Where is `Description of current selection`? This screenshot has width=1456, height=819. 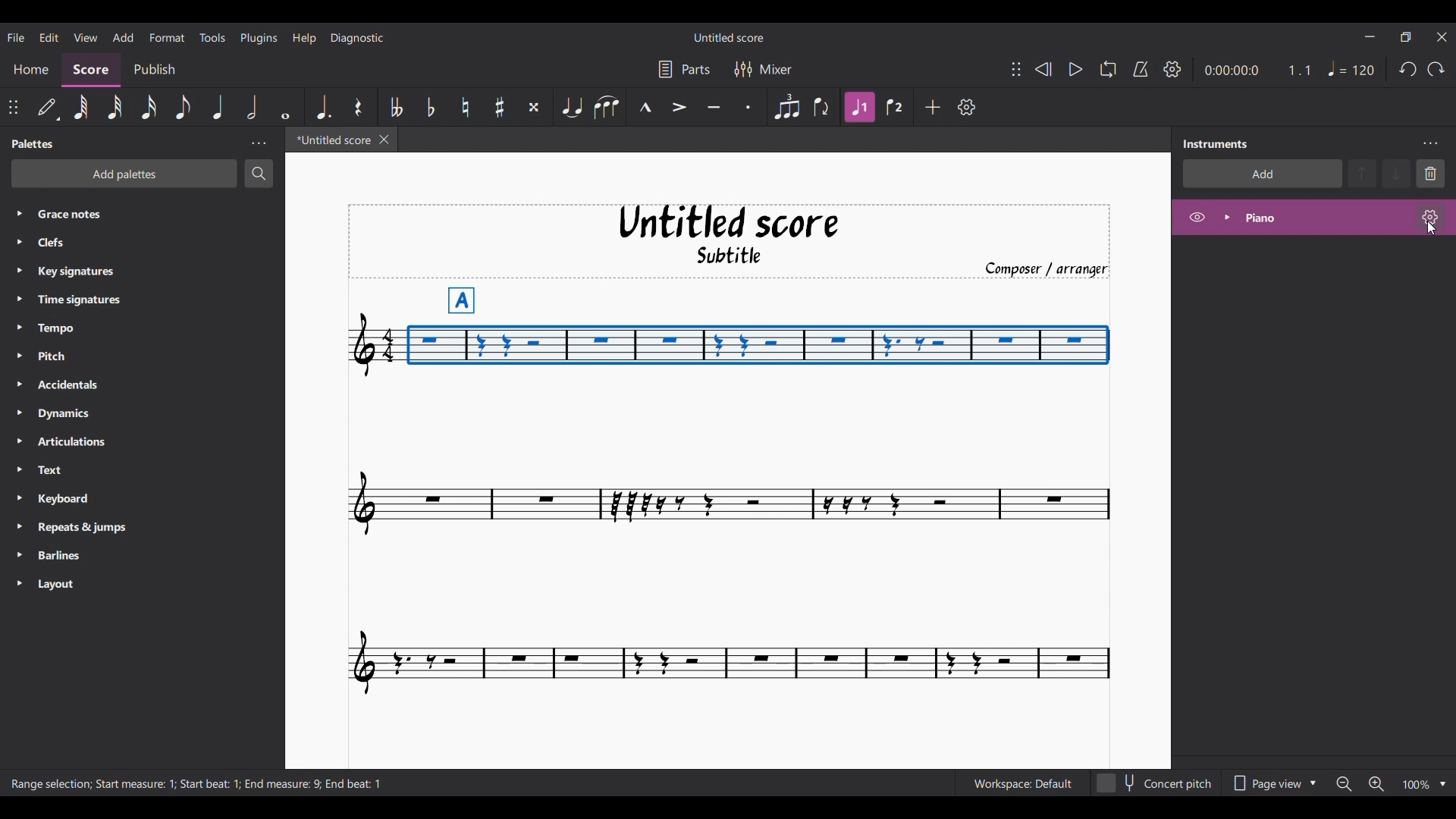
Description of current selection is located at coordinates (199, 783).